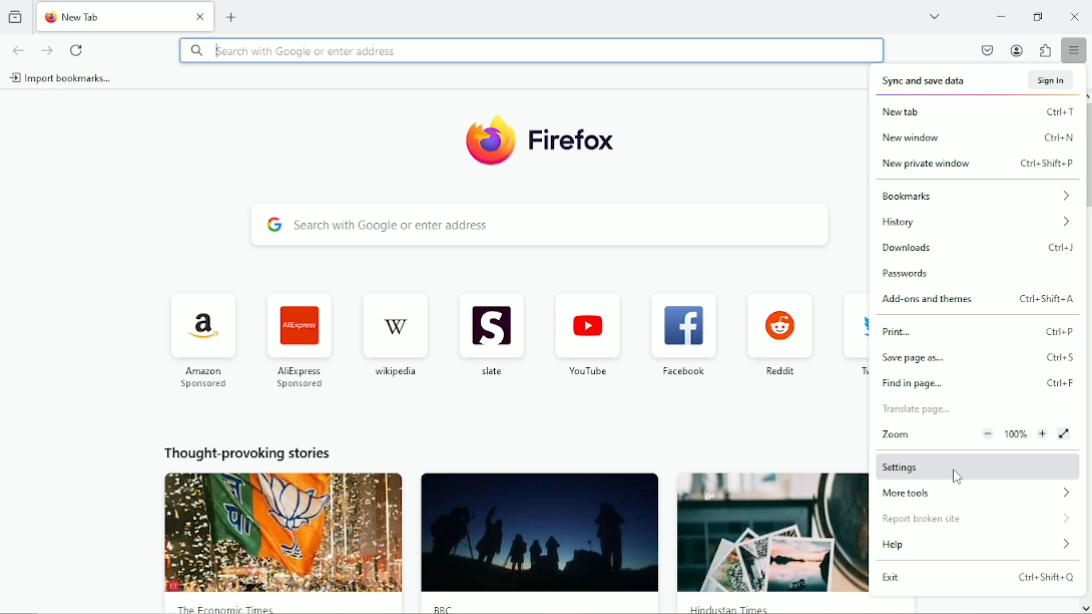 The height and width of the screenshot is (614, 1092). I want to click on New tab  Ctrl+T, so click(976, 111).